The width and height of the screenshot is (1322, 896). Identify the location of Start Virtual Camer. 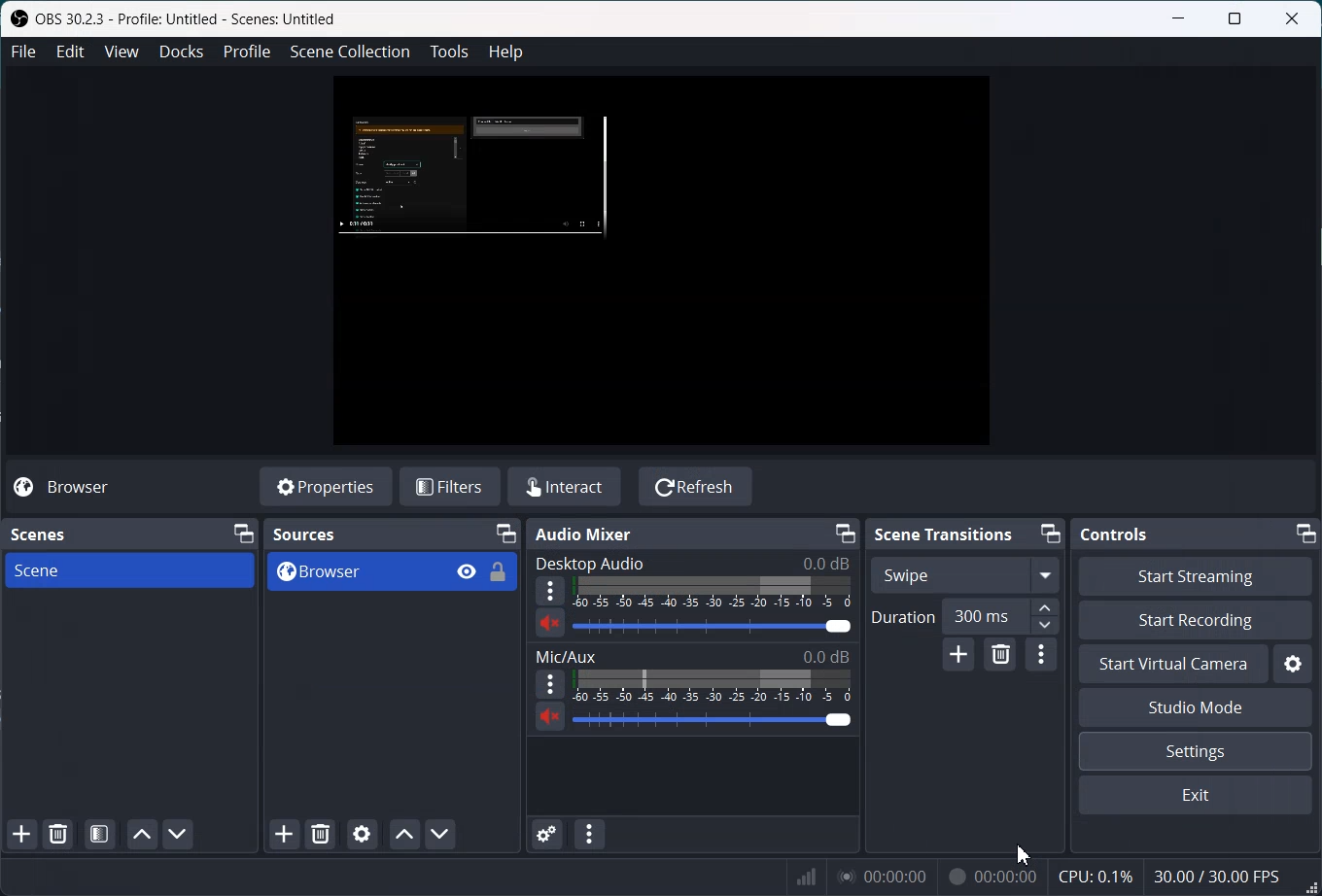
(1173, 665).